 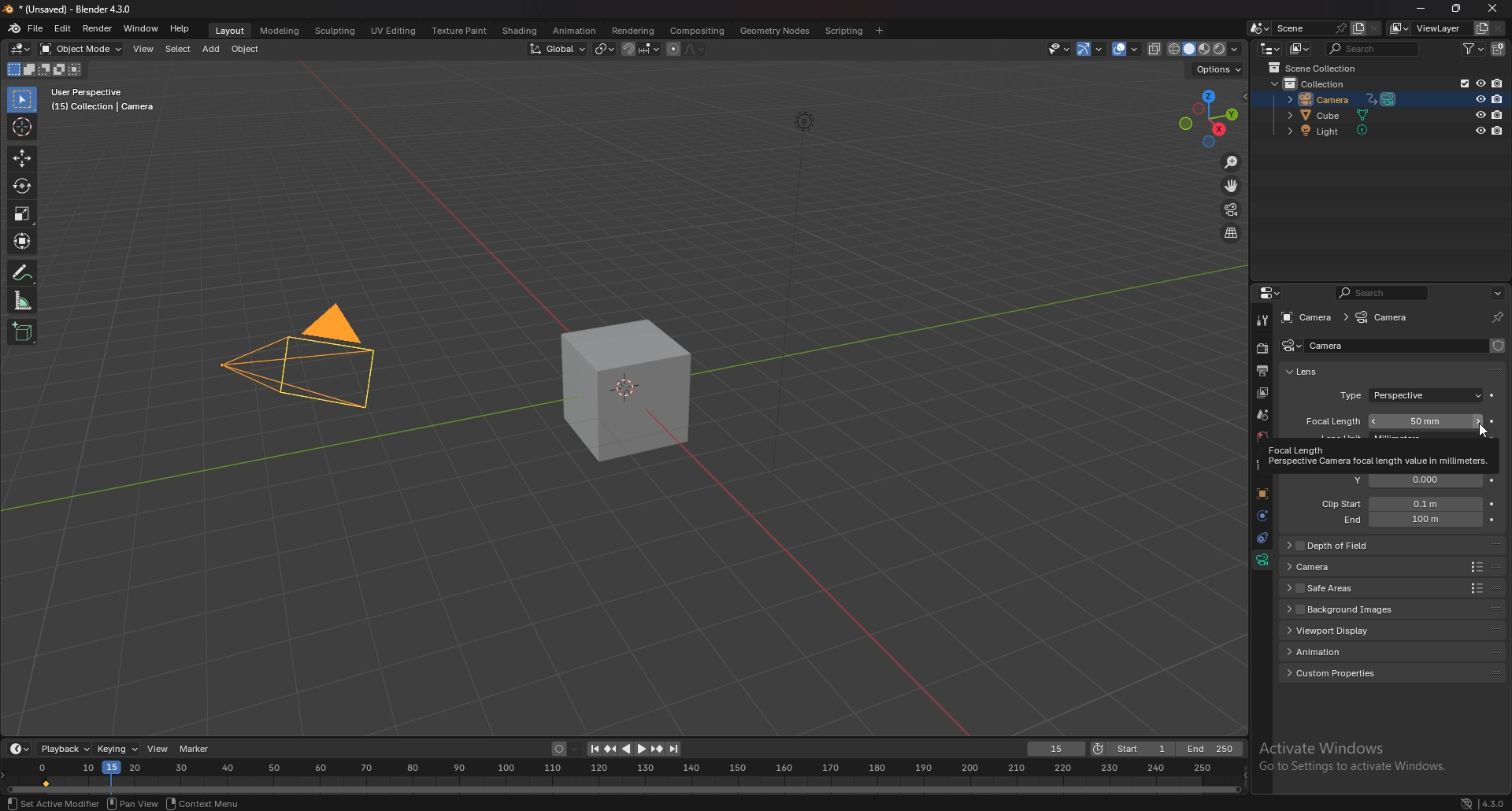 I want to click on hide in viewport, so click(x=1478, y=100).